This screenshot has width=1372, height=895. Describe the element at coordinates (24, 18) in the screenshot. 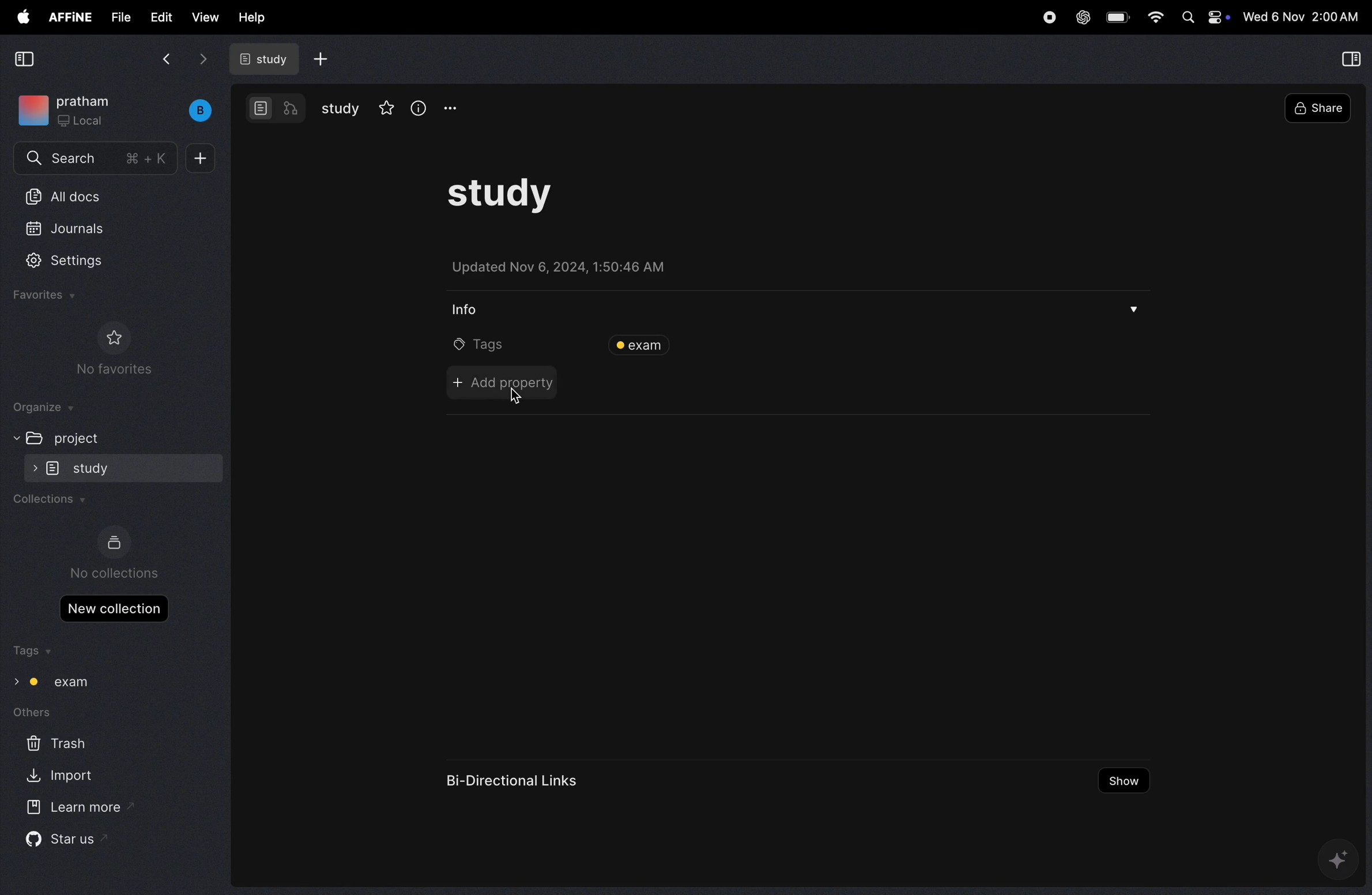

I see `apple menu` at that location.